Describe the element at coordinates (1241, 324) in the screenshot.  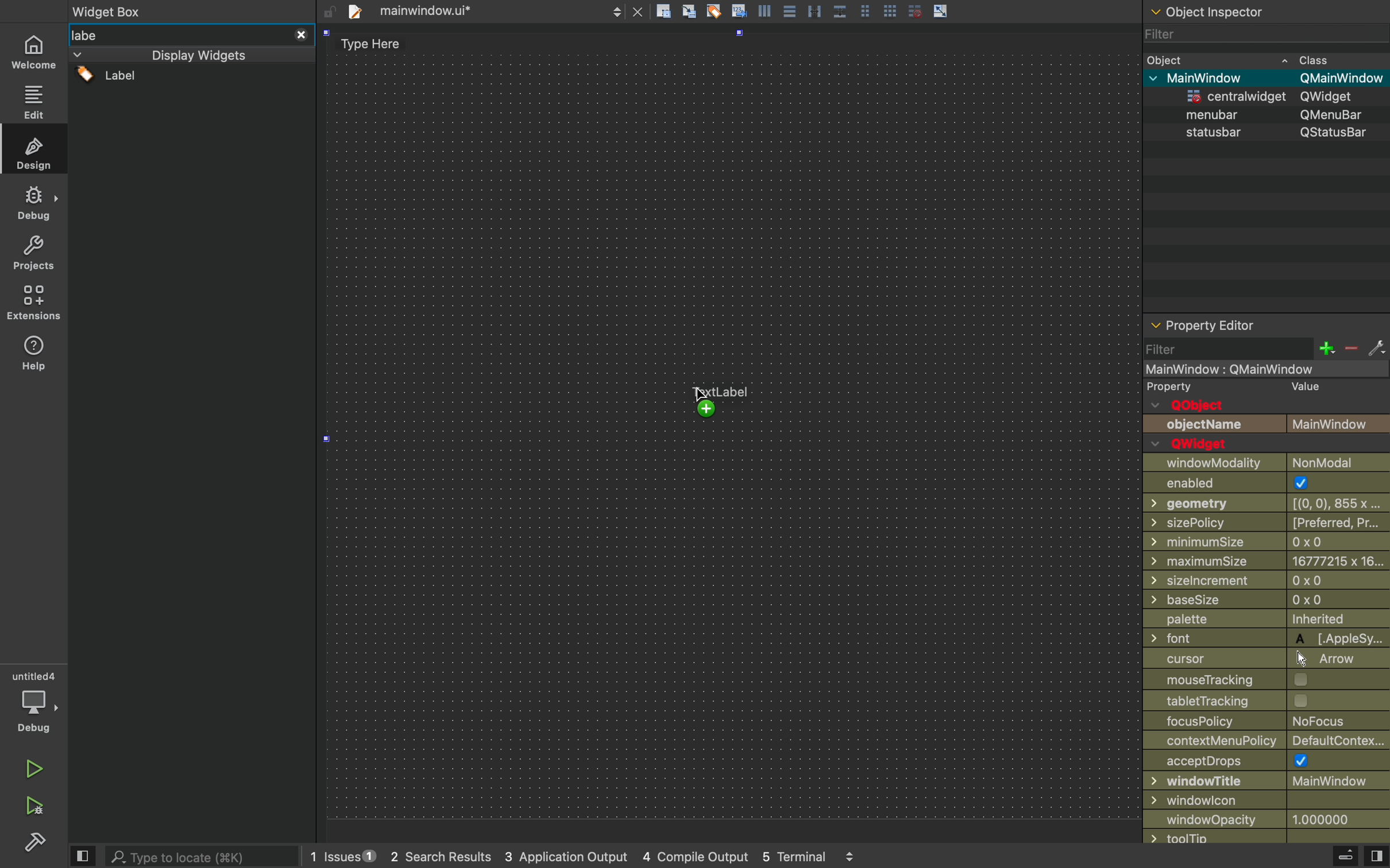
I see `properties of selected widget ` at that location.